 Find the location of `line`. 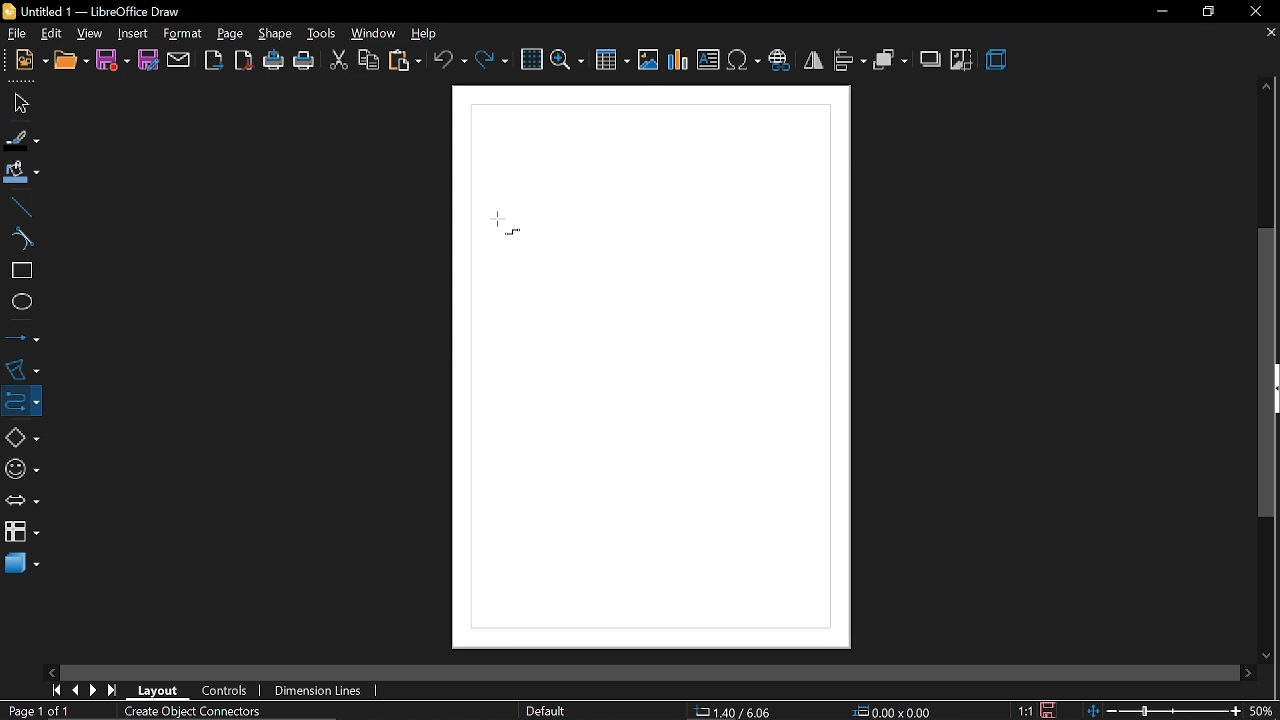

line is located at coordinates (18, 205).